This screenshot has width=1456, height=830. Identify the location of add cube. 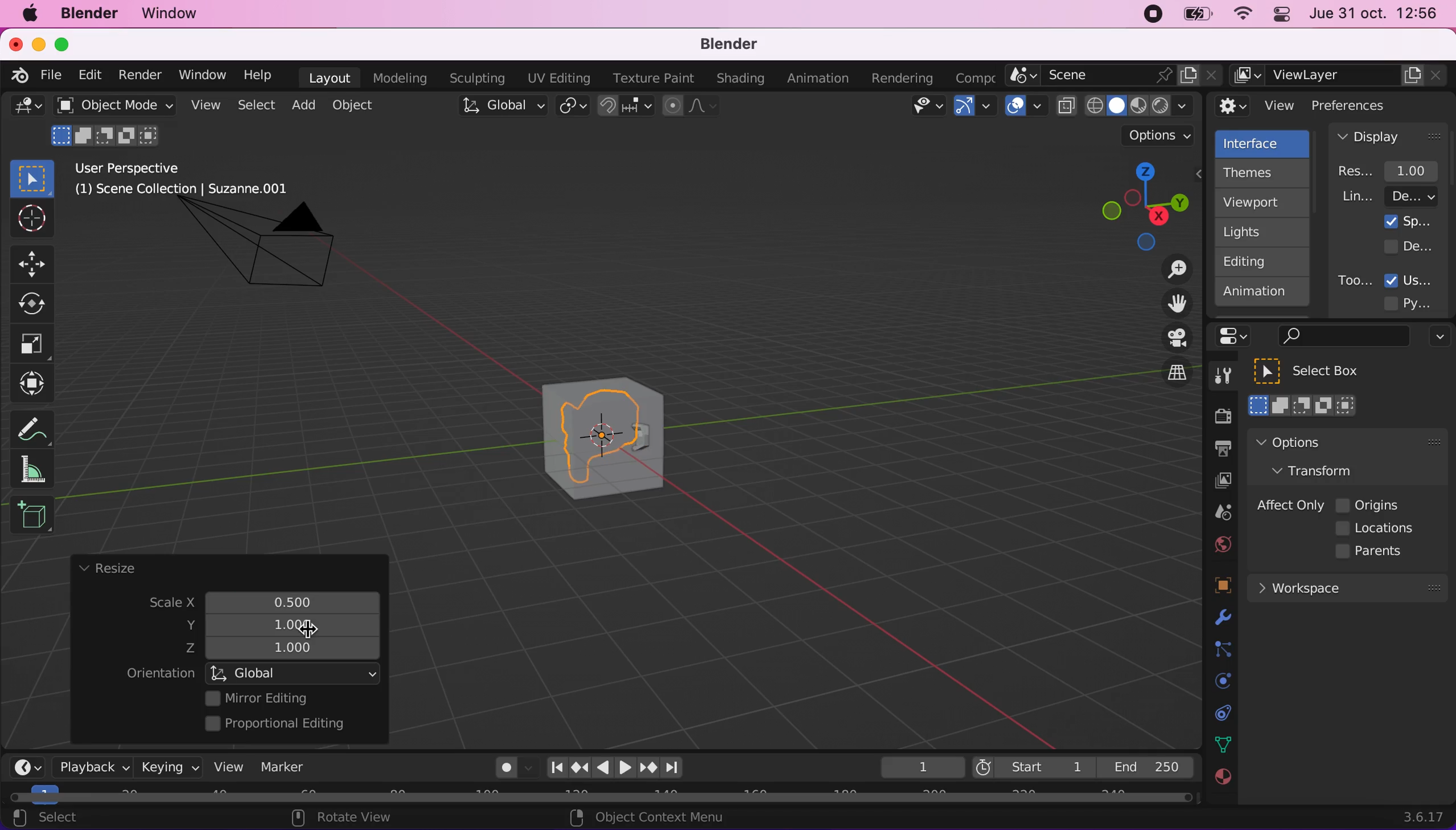
(32, 516).